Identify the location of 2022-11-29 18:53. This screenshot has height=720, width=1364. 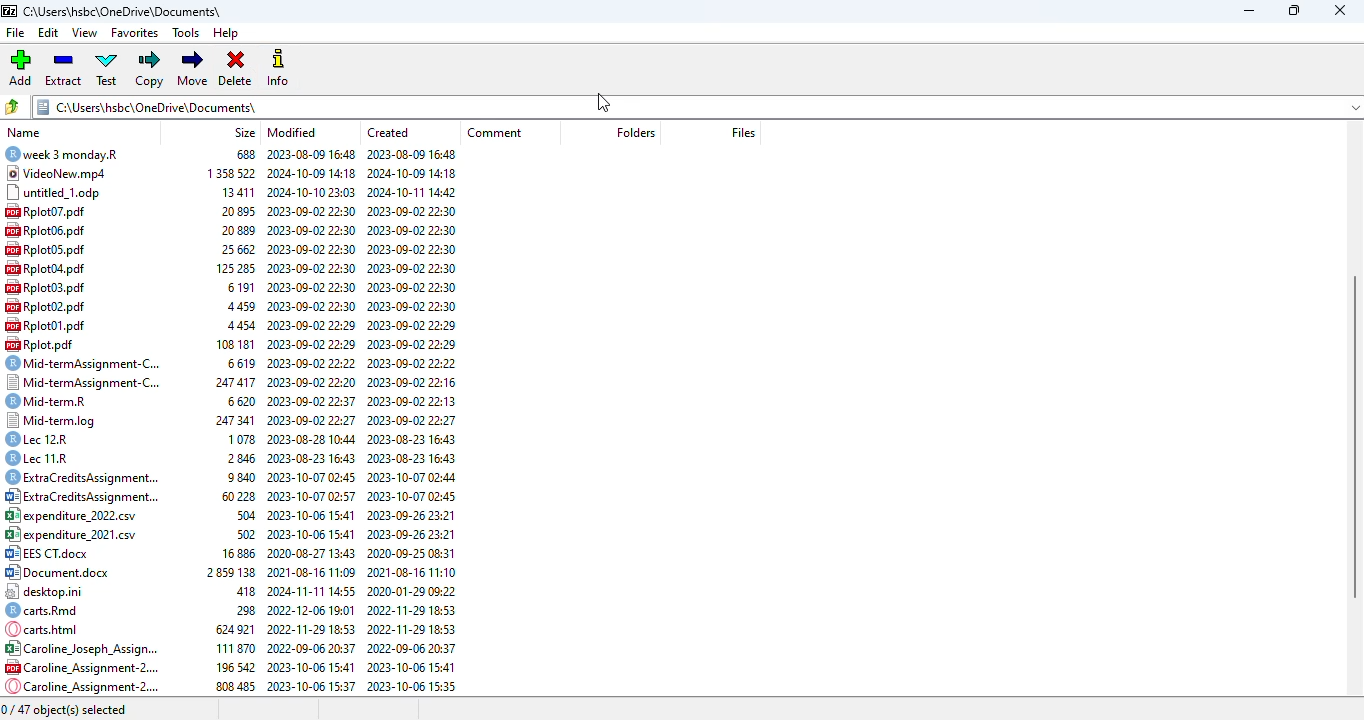
(314, 629).